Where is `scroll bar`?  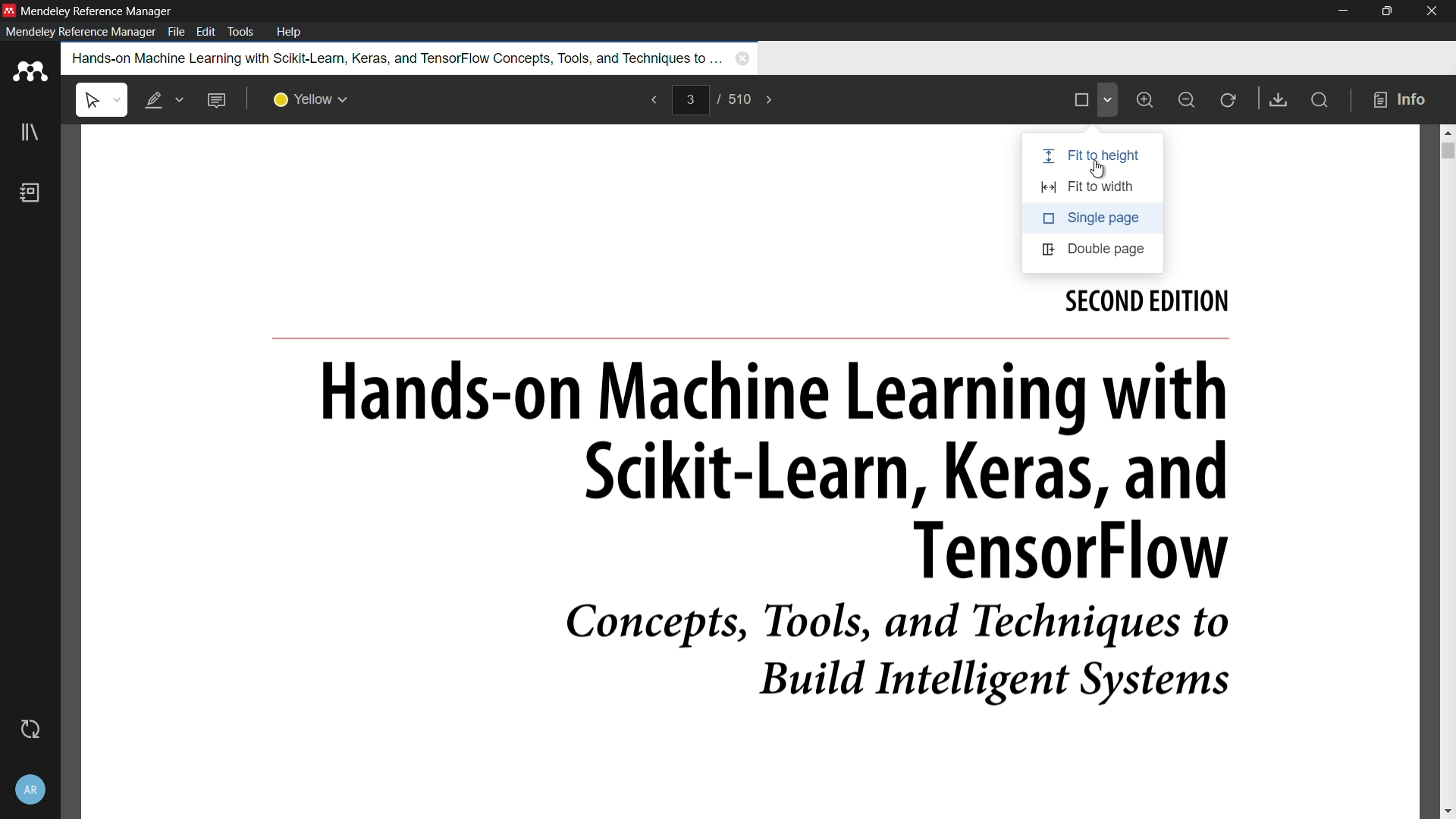
scroll bar is located at coordinates (1447, 149).